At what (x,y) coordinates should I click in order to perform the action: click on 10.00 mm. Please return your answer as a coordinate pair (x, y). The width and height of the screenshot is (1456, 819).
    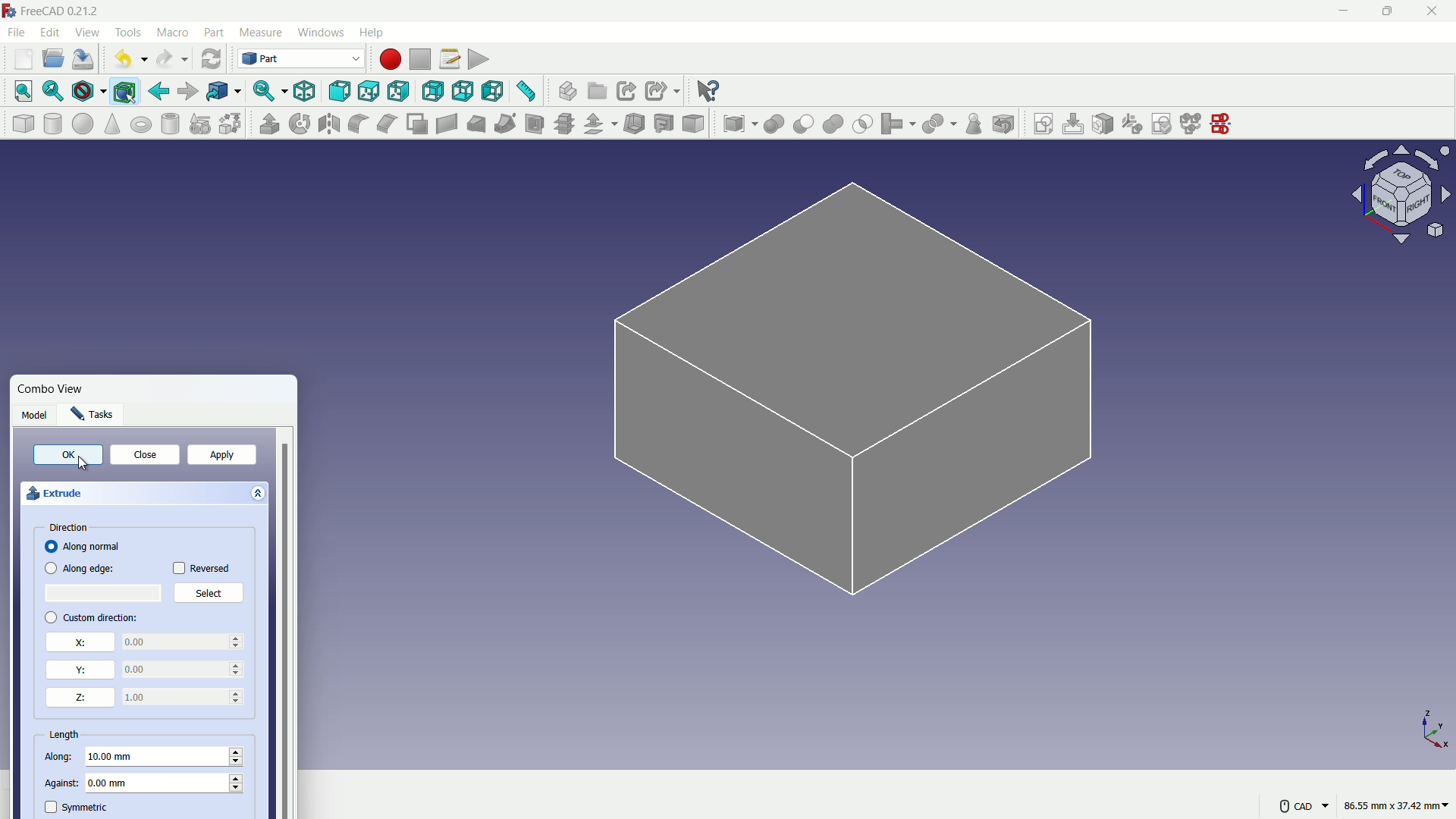
    Looking at the image, I should click on (162, 757).